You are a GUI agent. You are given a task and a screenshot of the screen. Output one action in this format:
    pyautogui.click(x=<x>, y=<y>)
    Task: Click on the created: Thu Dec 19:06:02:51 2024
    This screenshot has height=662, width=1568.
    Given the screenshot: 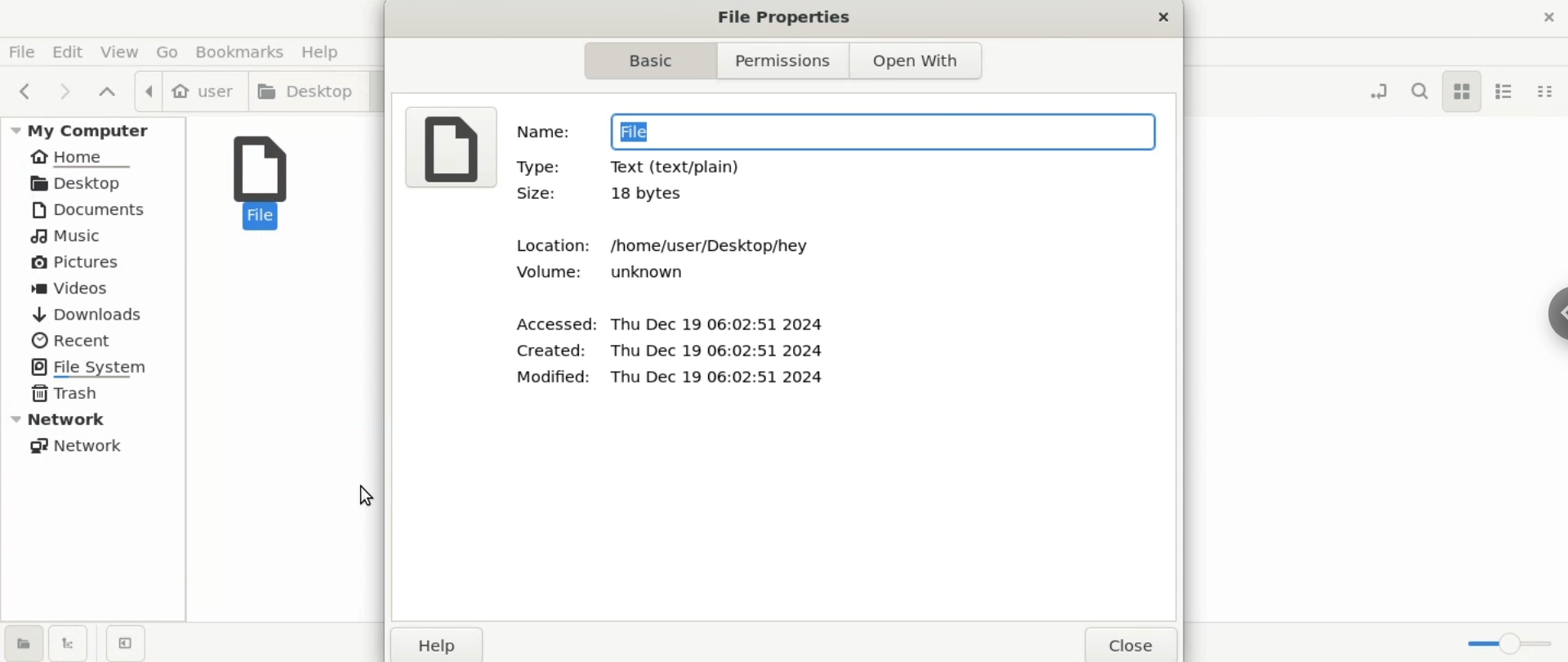 What is the action you would take?
    pyautogui.click(x=667, y=351)
    